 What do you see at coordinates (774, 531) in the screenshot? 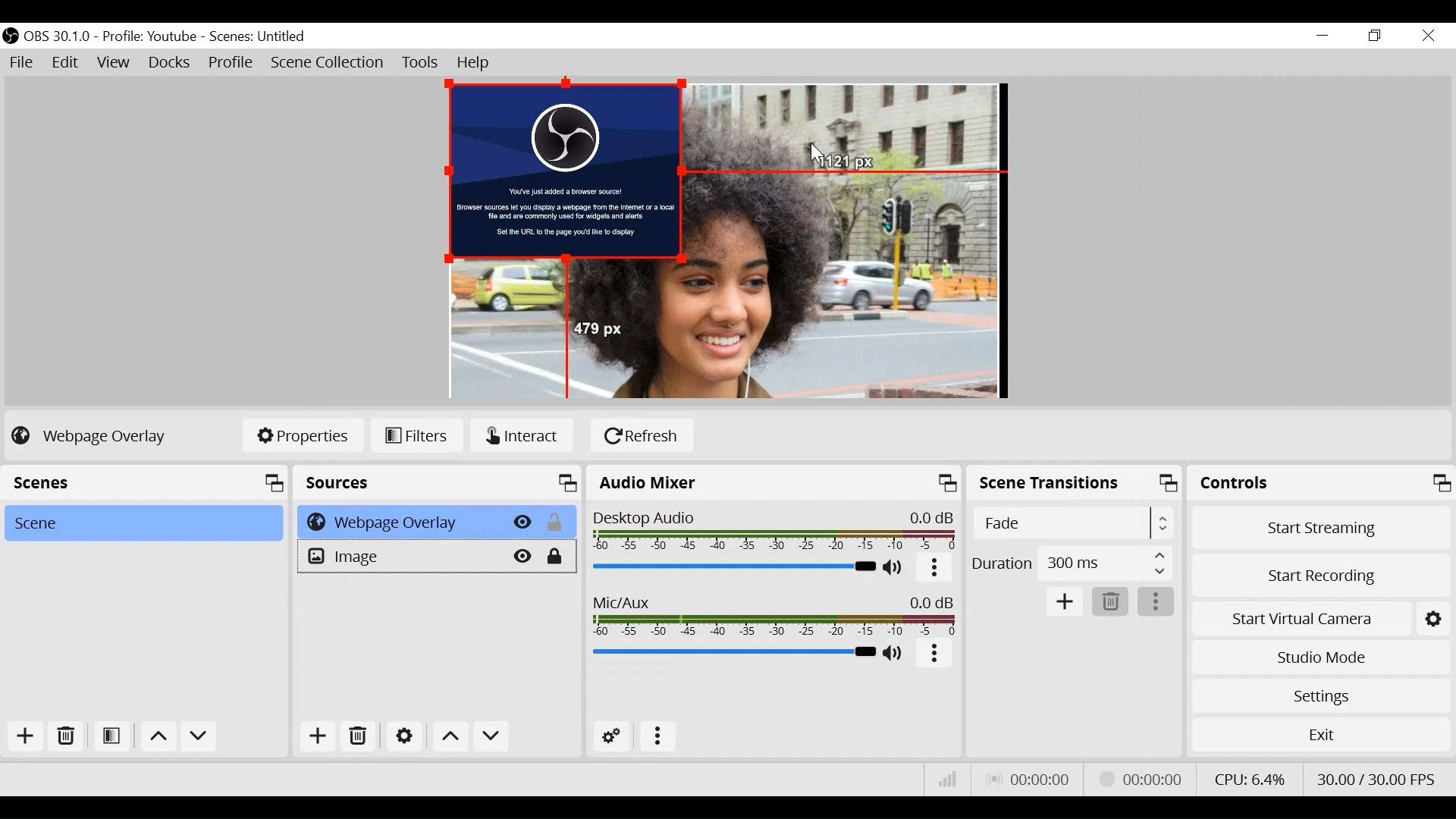
I see `Desktop Icon` at bounding box center [774, 531].